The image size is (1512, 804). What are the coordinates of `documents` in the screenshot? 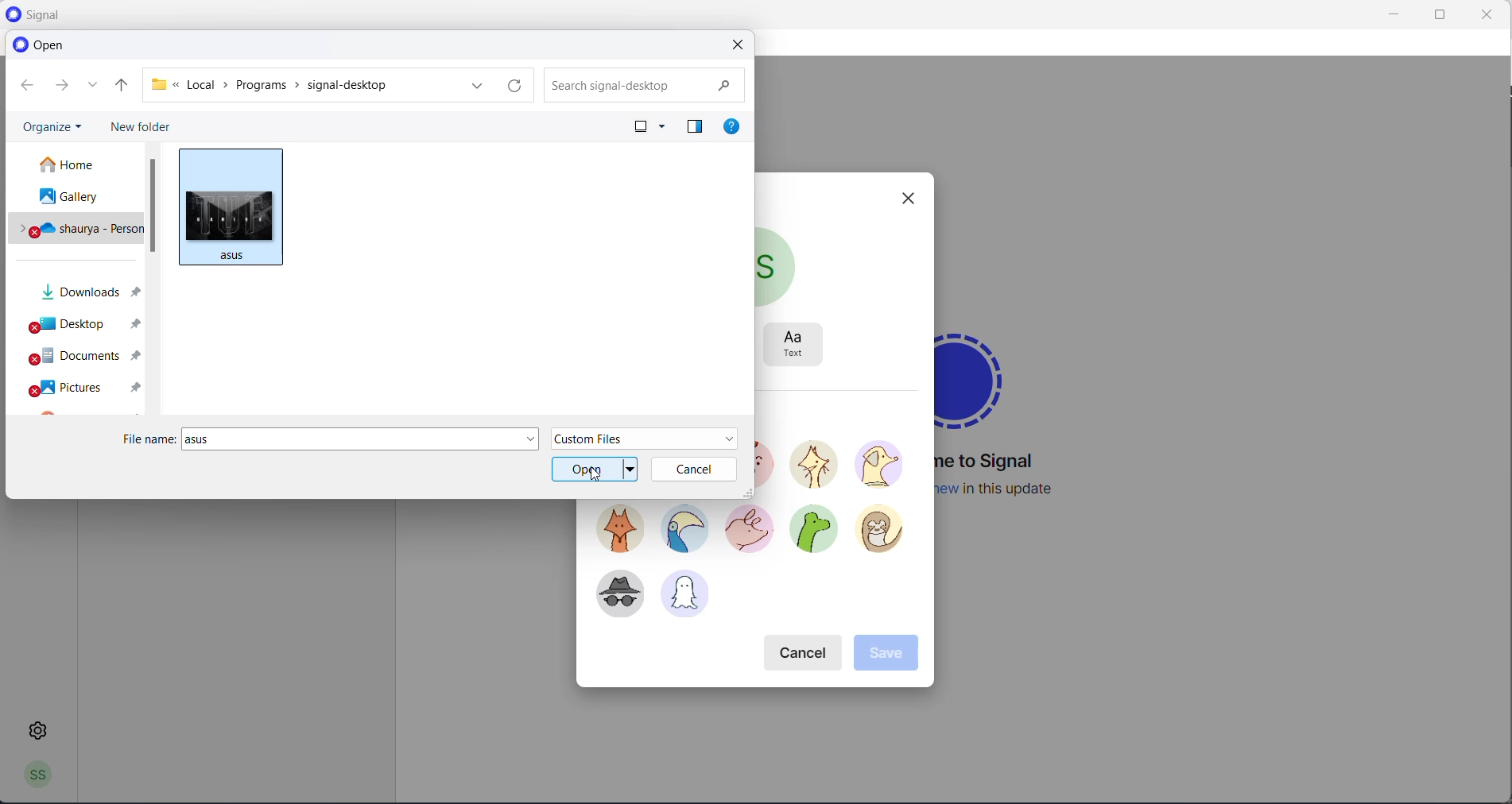 It's located at (91, 358).